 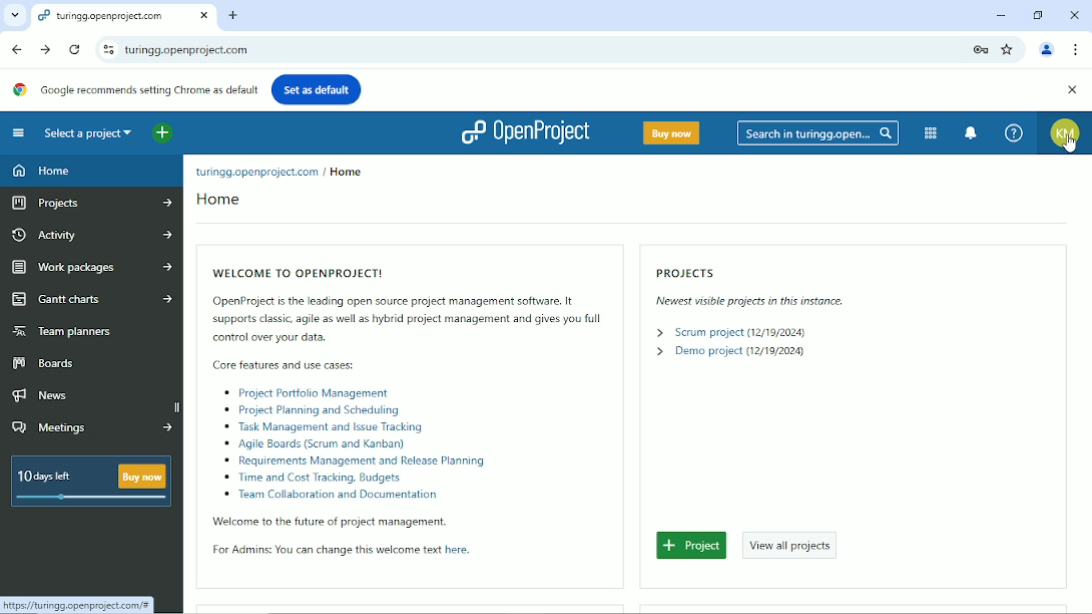 What do you see at coordinates (929, 132) in the screenshot?
I see `Modules` at bounding box center [929, 132].